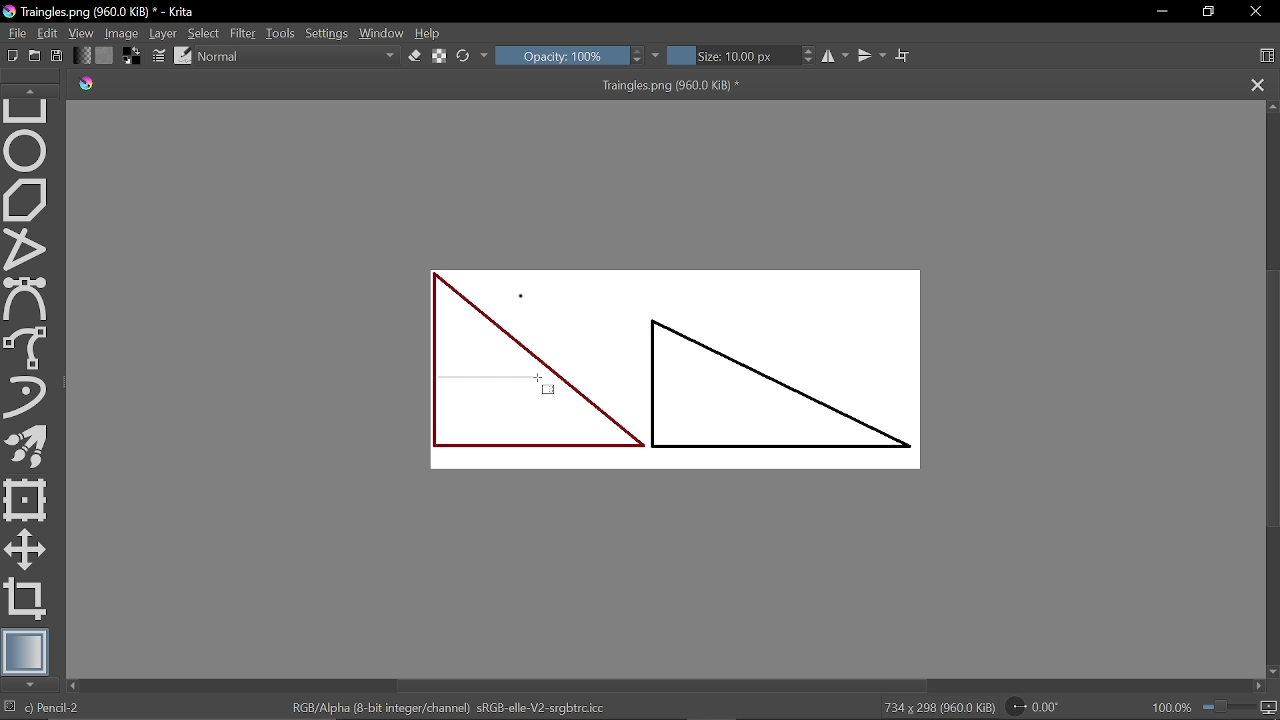 This screenshot has width=1280, height=720. Describe the element at coordinates (1258, 83) in the screenshot. I see `Close tab` at that location.